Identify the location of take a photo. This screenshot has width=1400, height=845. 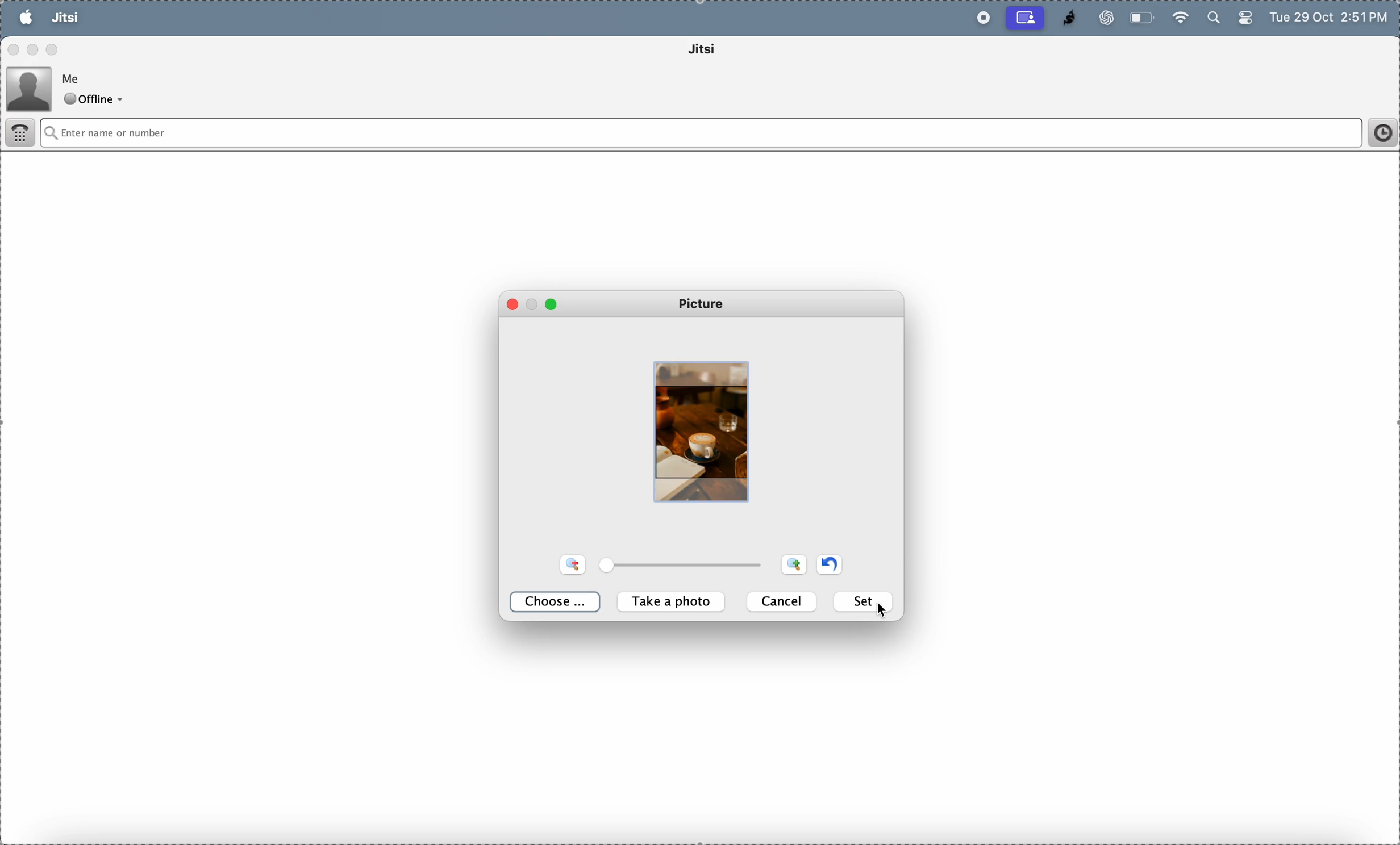
(674, 603).